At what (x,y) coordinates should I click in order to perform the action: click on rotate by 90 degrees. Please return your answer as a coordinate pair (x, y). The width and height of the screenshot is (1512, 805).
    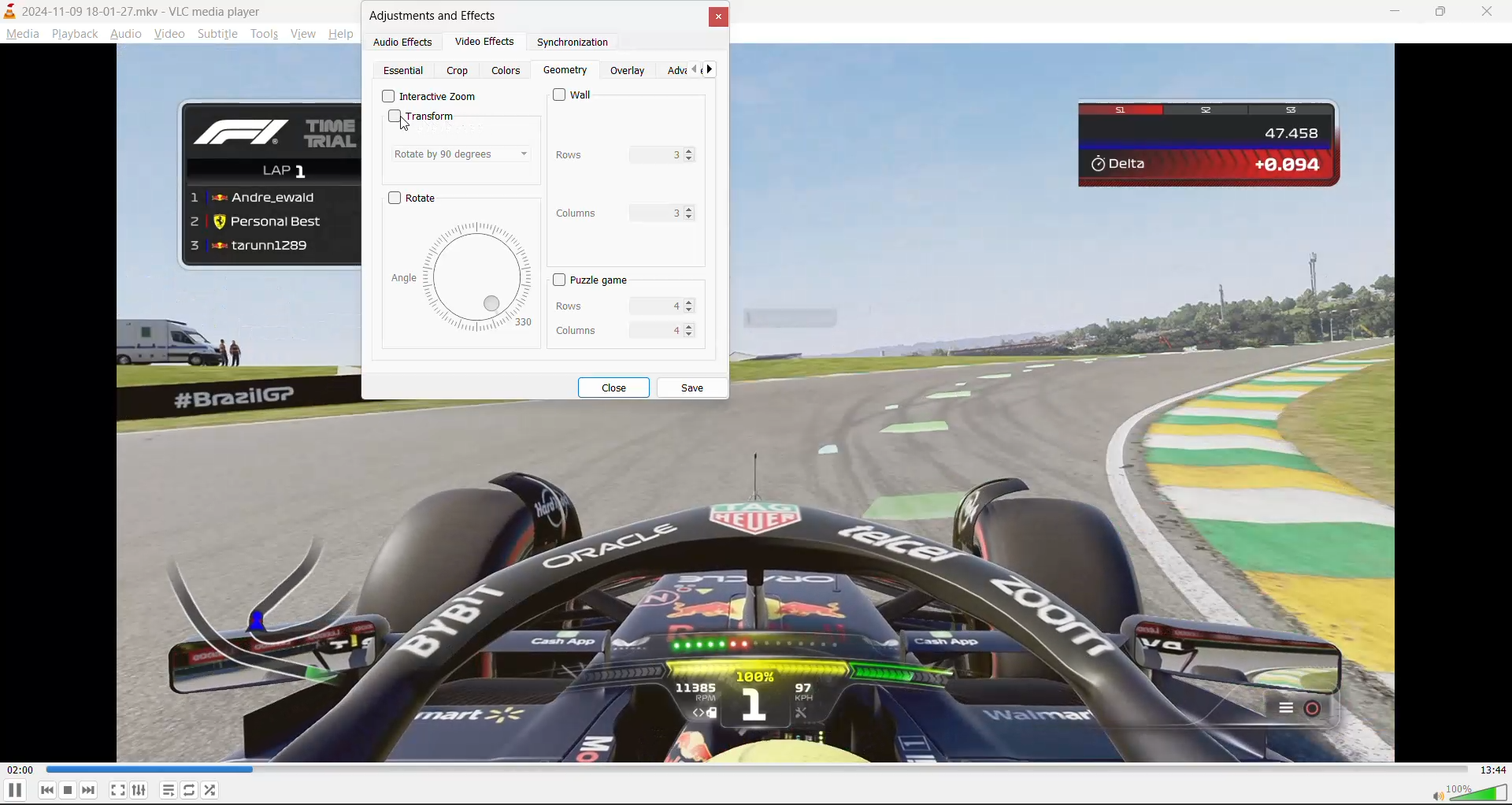
    Looking at the image, I should click on (461, 152).